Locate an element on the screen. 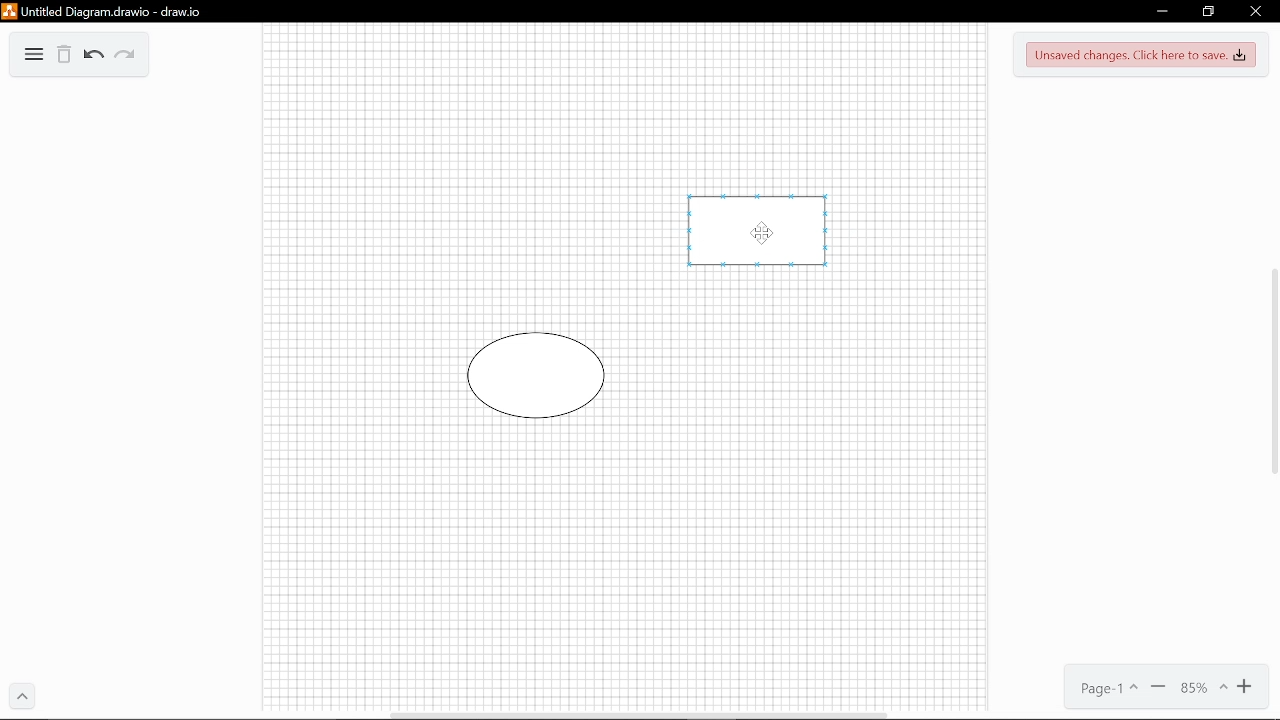 Image resolution: width=1280 pixels, height=720 pixels. Close is located at coordinates (1255, 12).